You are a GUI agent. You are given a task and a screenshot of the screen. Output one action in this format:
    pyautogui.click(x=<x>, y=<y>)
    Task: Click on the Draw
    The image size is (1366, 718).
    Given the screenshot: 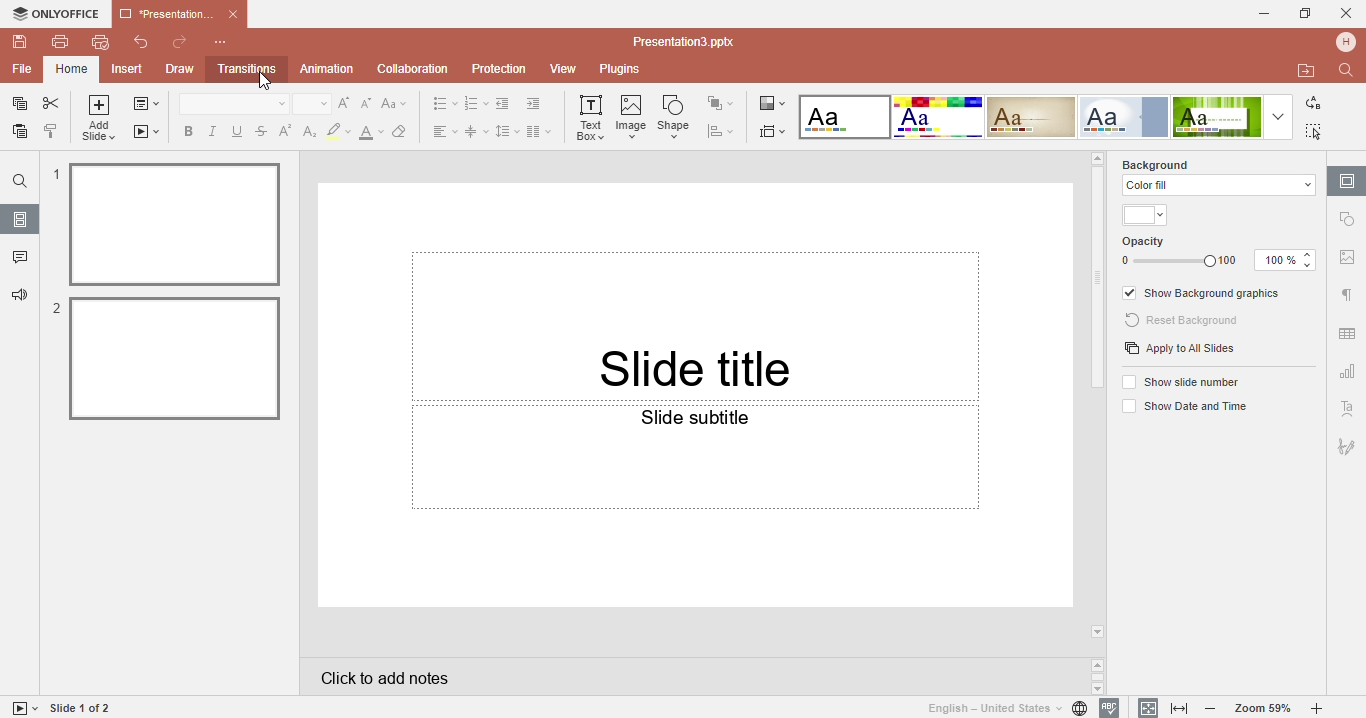 What is the action you would take?
    pyautogui.click(x=178, y=70)
    